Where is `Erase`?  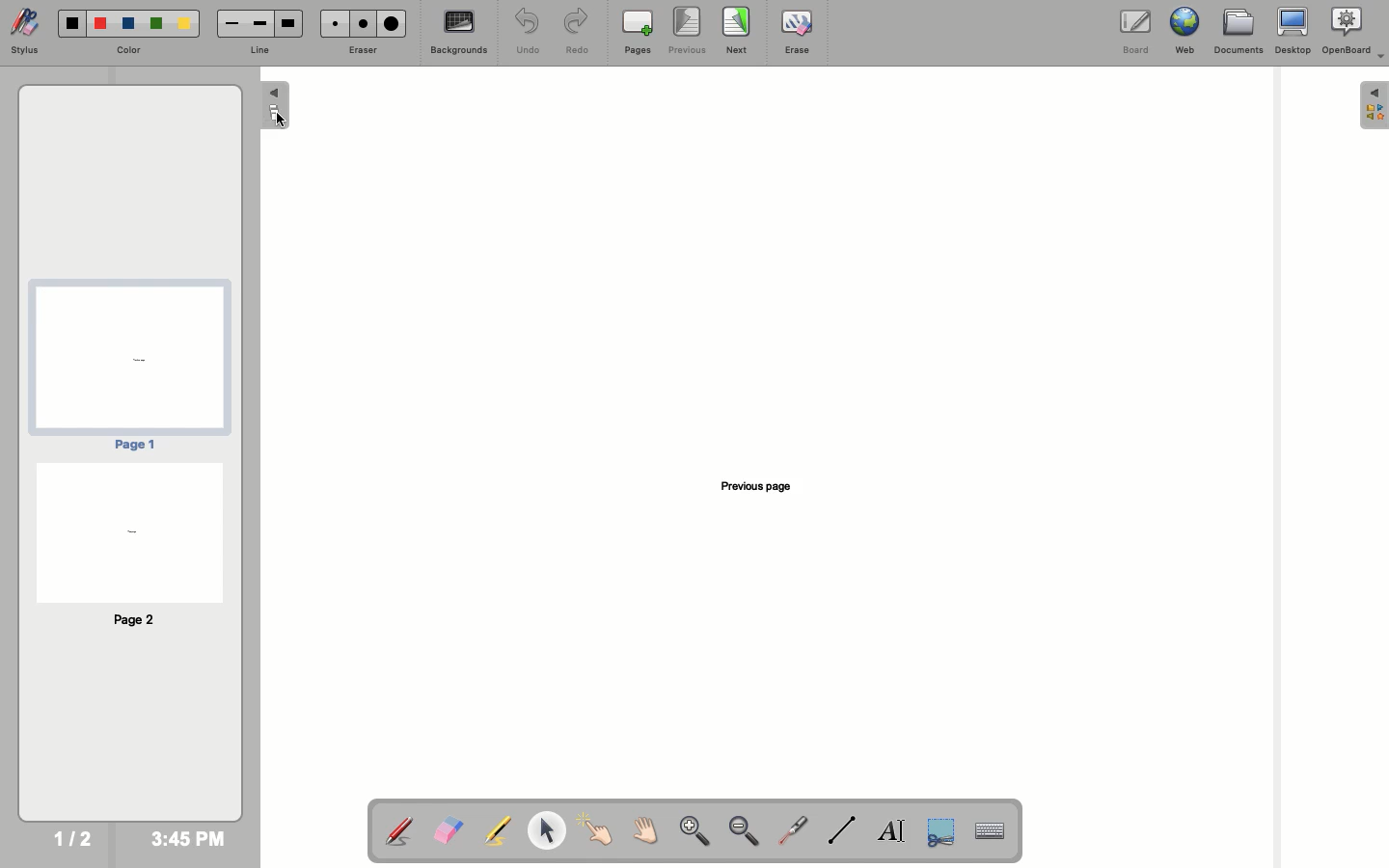 Erase is located at coordinates (797, 32).